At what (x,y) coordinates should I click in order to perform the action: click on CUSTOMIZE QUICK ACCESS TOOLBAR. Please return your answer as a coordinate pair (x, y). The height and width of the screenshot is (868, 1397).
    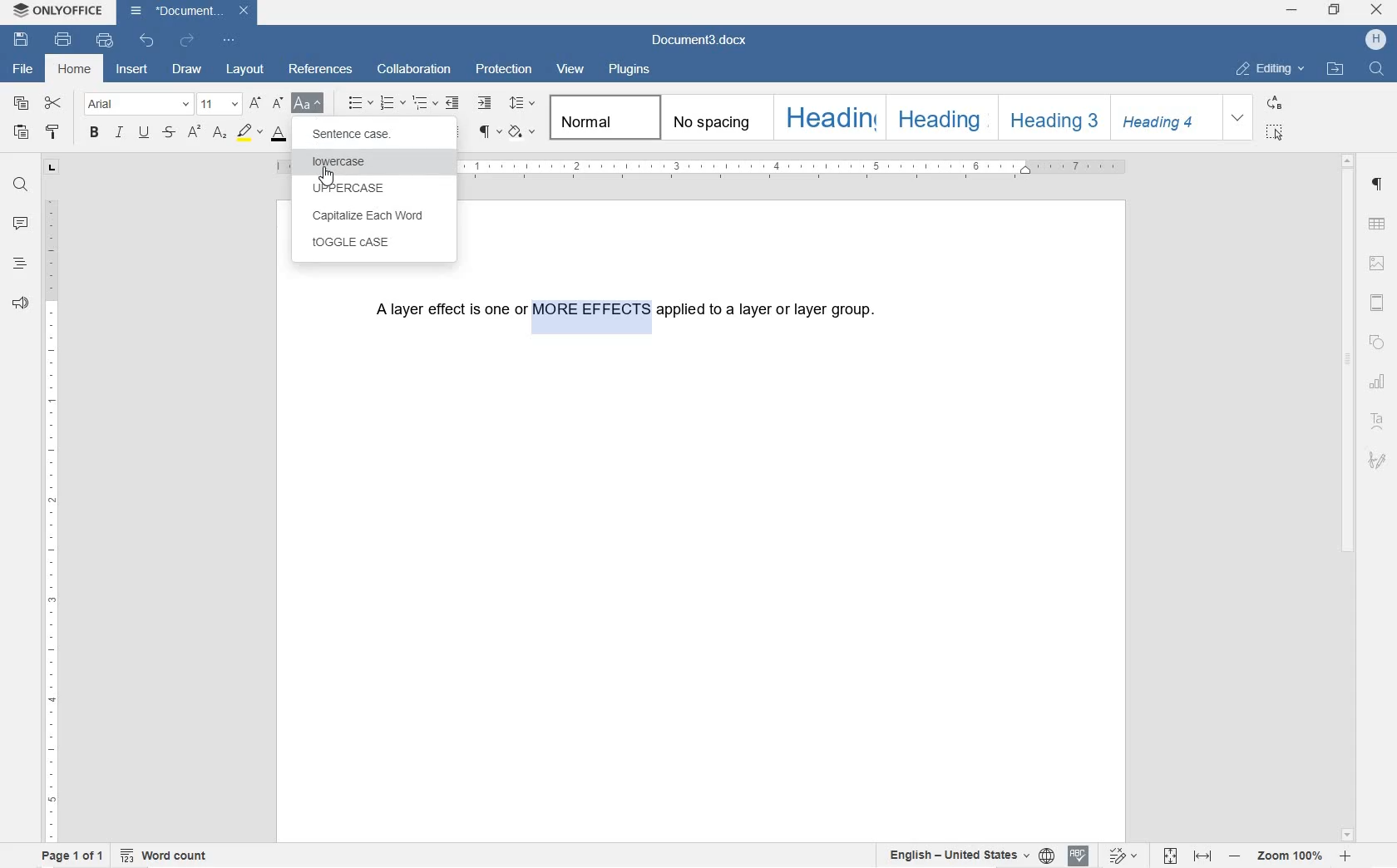
    Looking at the image, I should click on (230, 42).